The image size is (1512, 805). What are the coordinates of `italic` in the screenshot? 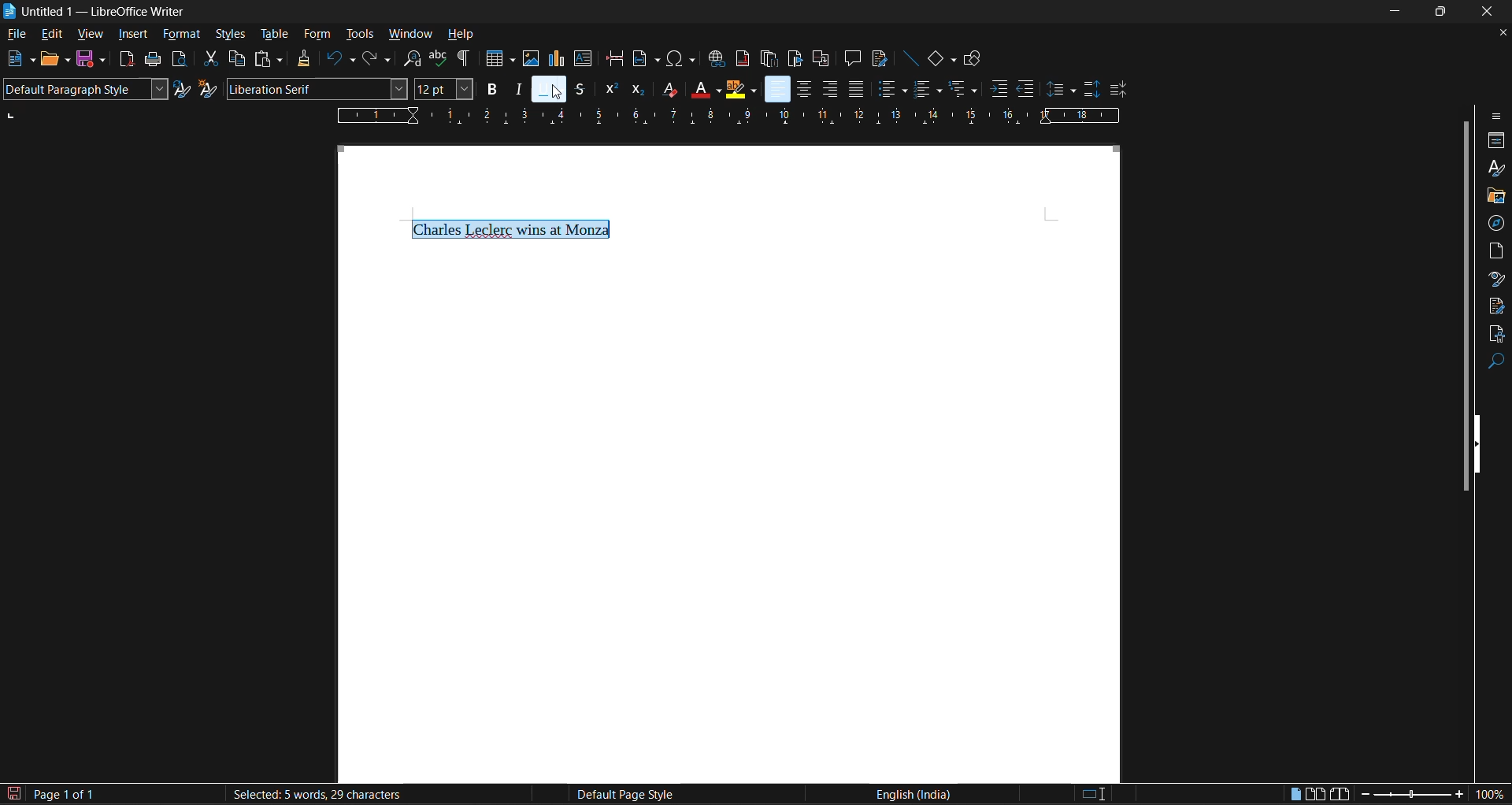 It's located at (517, 88).